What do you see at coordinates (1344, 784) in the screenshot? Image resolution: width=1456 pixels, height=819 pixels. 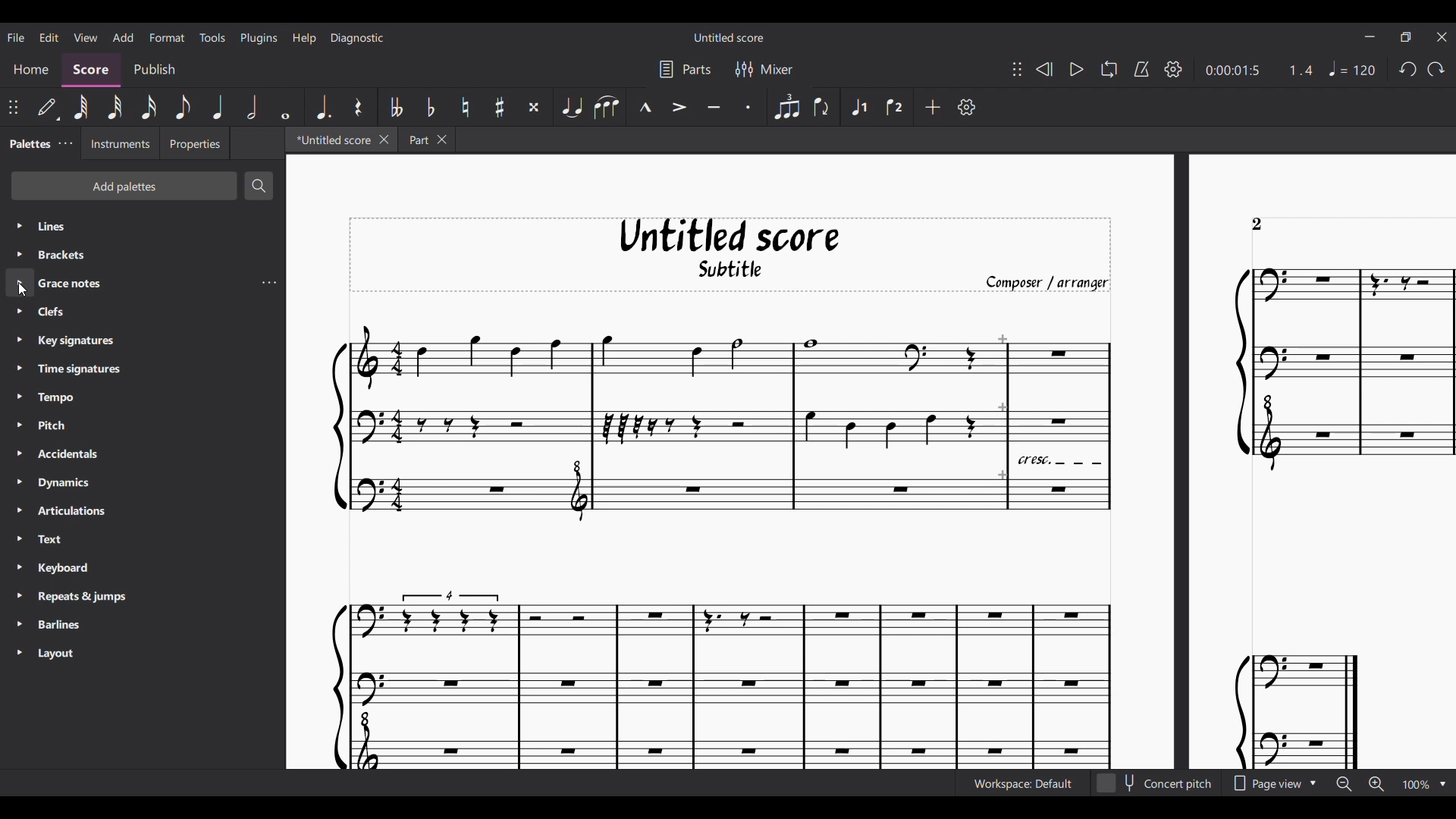 I see `Zoom out` at bounding box center [1344, 784].